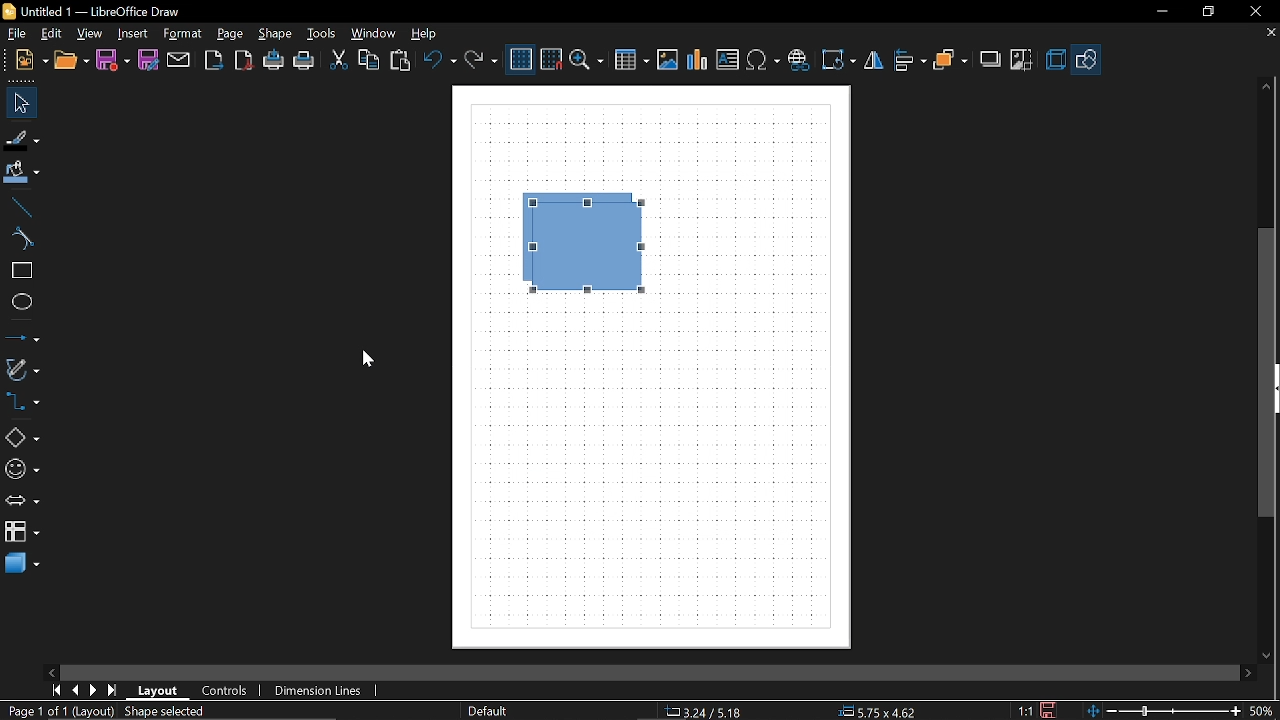 Image resolution: width=1280 pixels, height=720 pixels. I want to click on Tools, so click(324, 34).